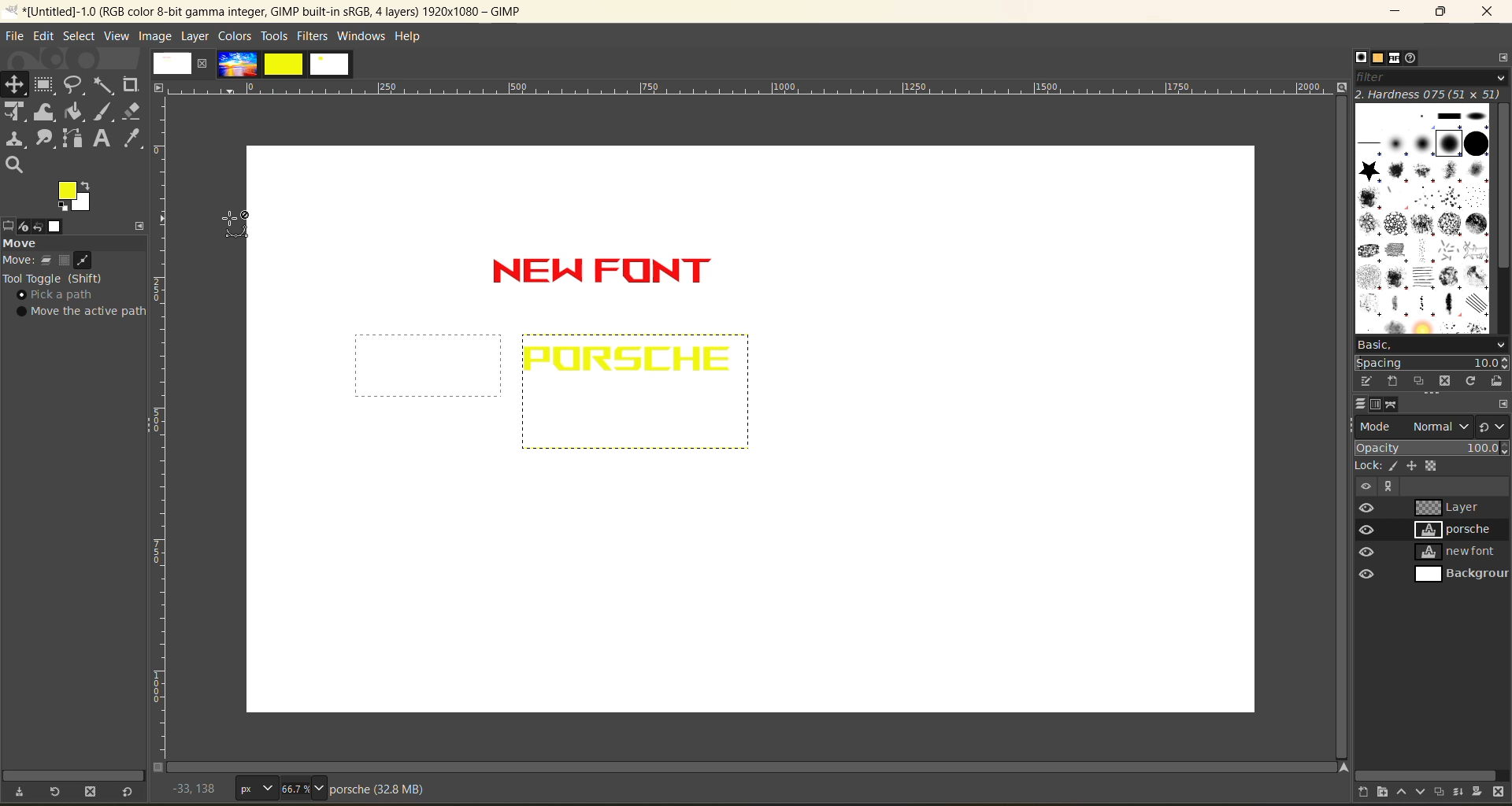  What do you see at coordinates (237, 230) in the screenshot?
I see `cursor` at bounding box center [237, 230].